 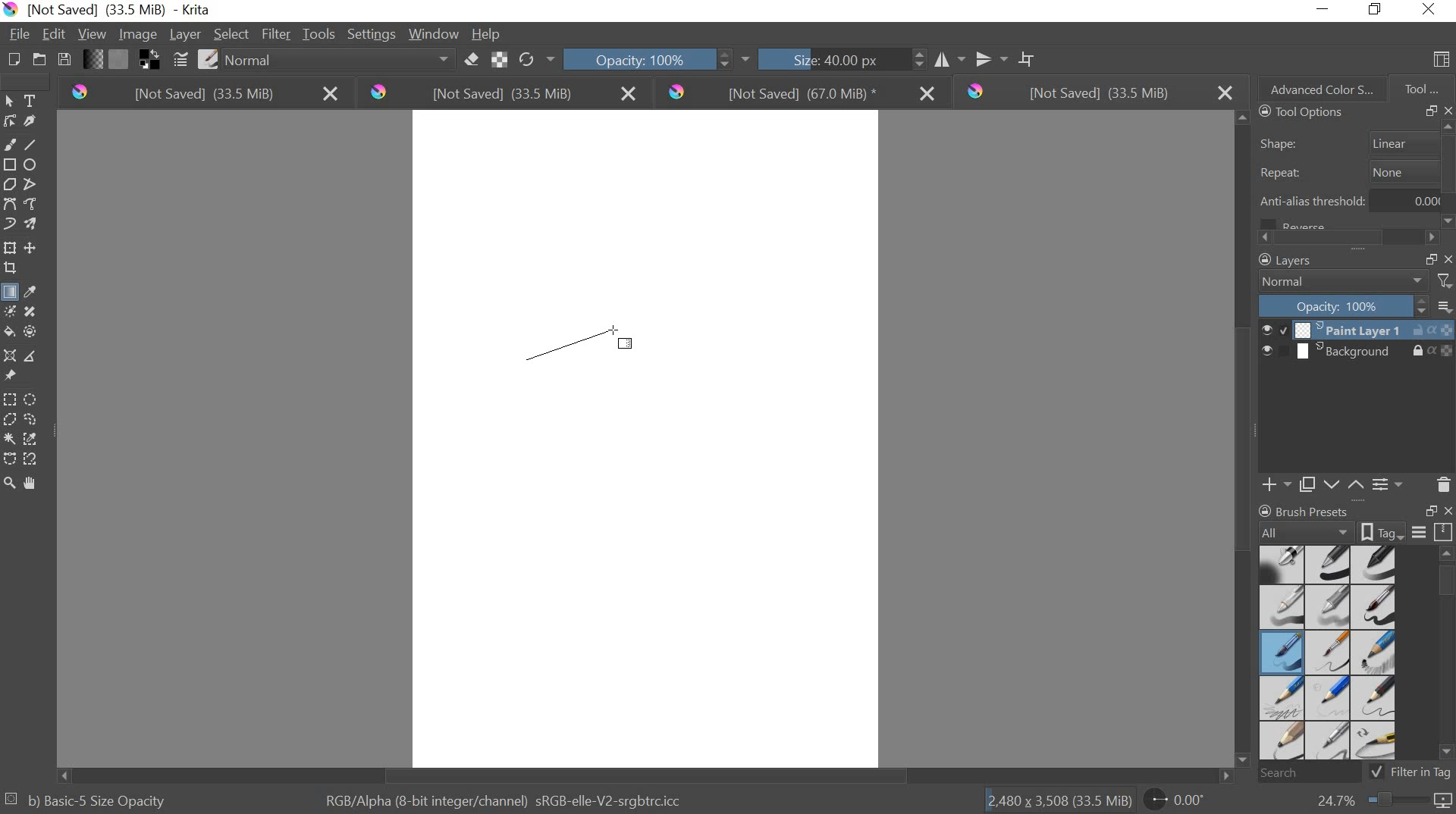 I want to click on calligraphic tool, so click(x=33, y=121).